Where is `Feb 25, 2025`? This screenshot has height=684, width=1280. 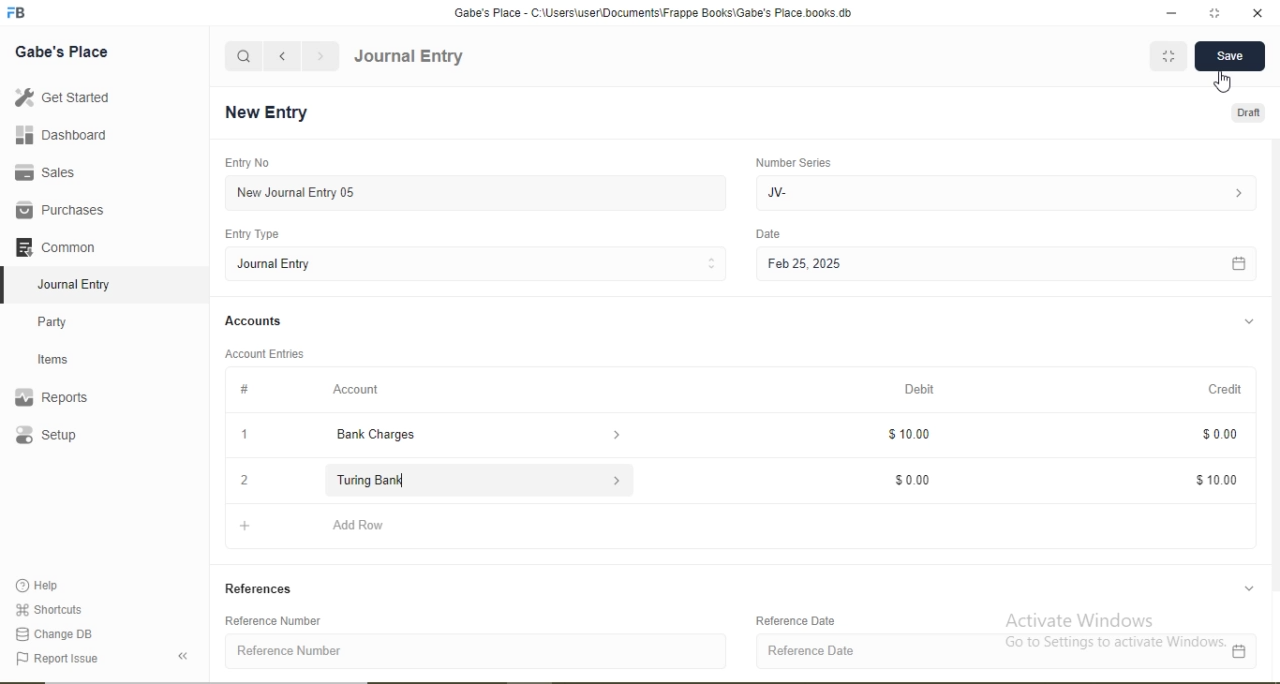 Feb 25, 2025 is located at coordinates (1005, 265).